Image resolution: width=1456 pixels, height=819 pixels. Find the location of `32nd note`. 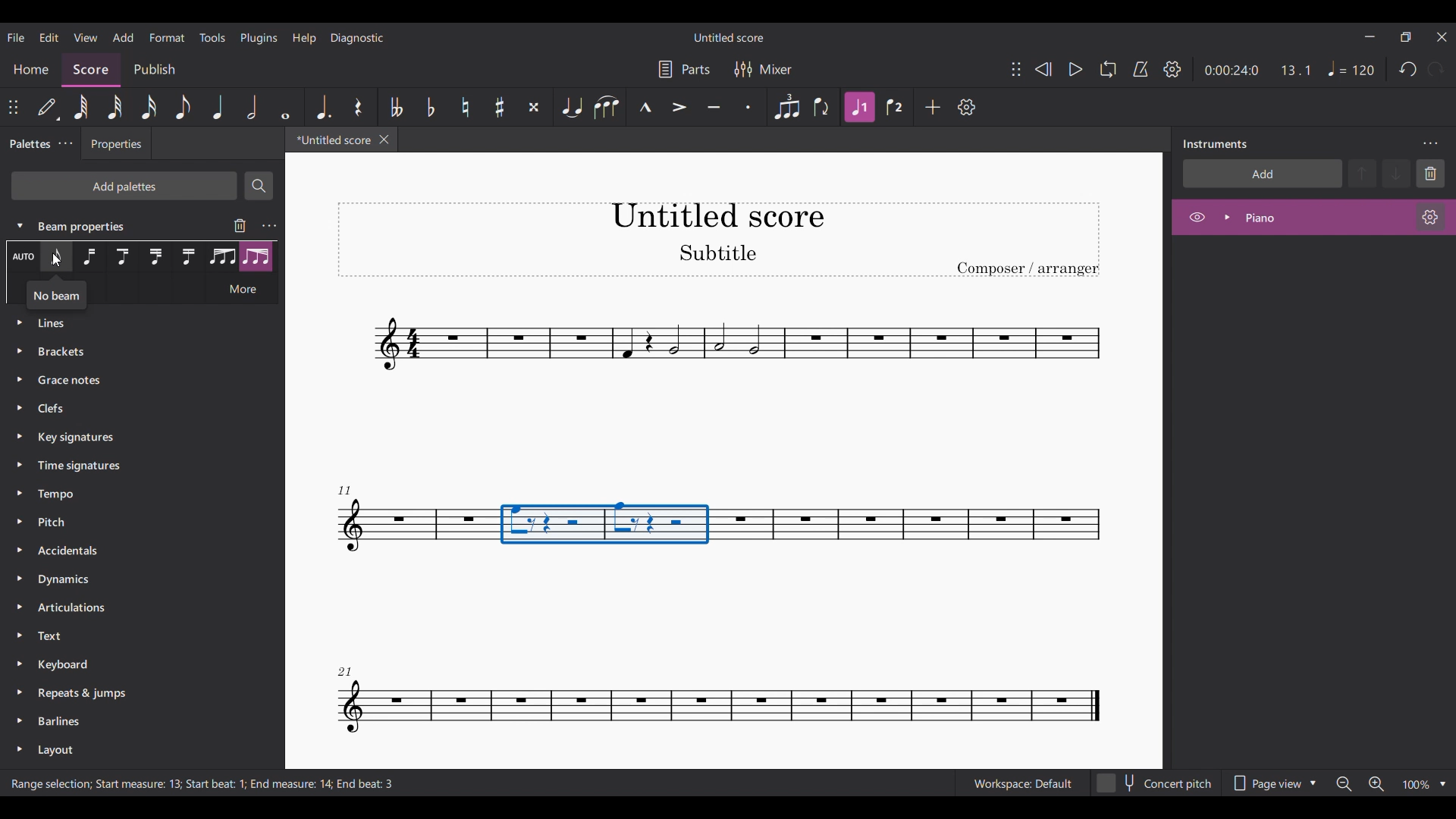

32nd note is located at coordinates (115, 107).